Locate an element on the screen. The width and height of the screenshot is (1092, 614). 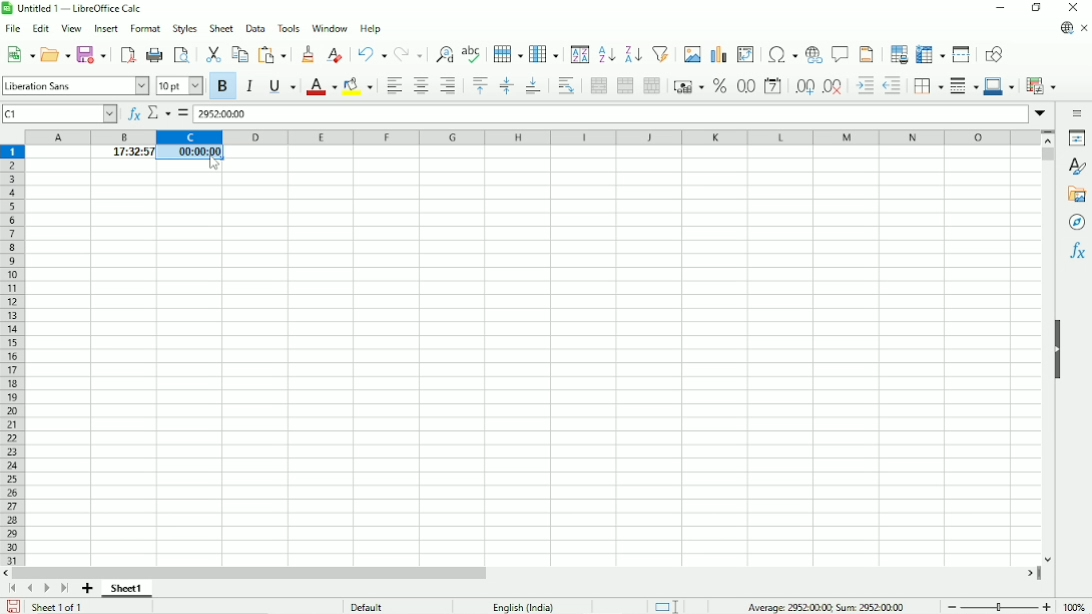
Format is located at coordinates (144, 30).